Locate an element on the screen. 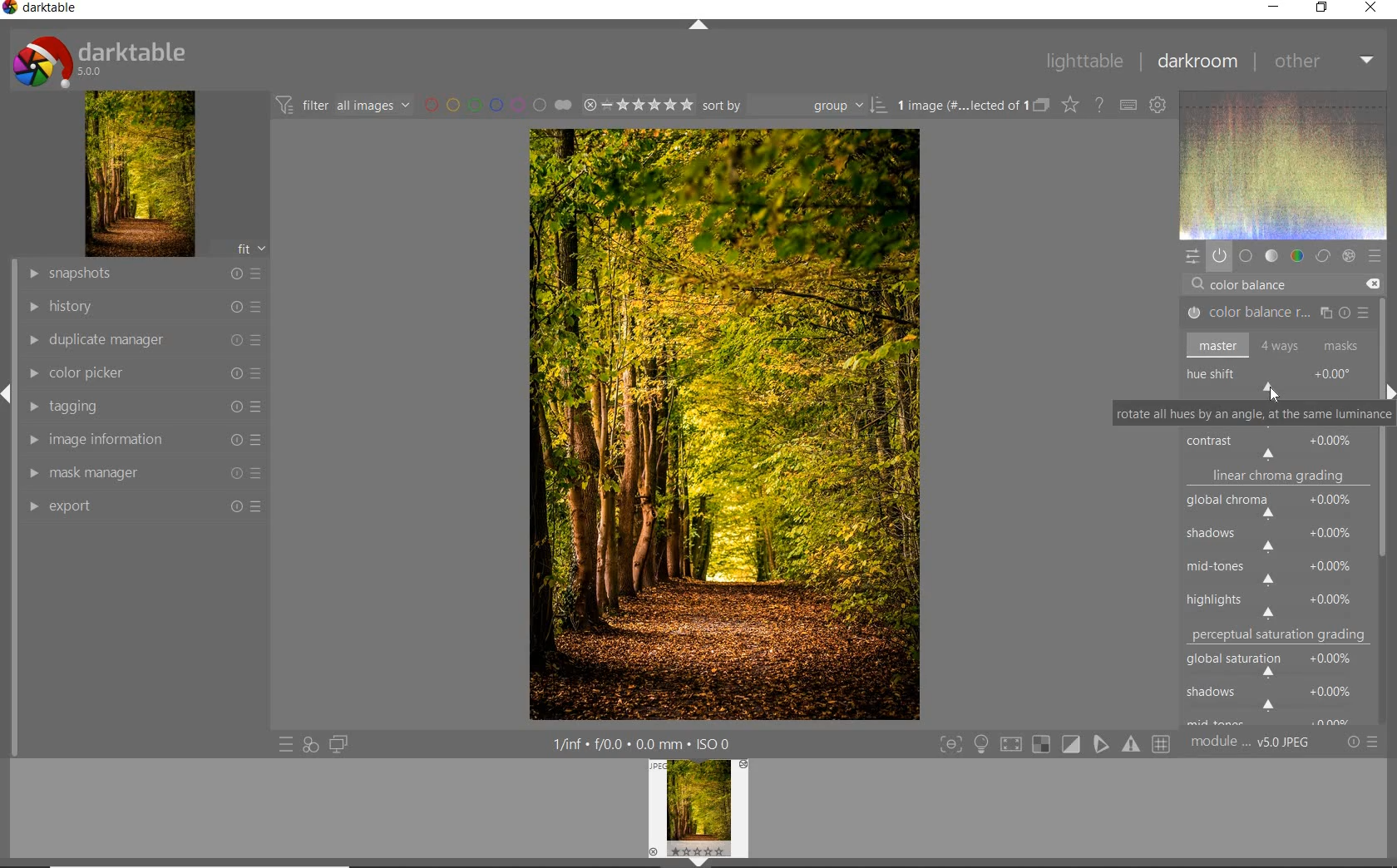 The height and width of the screenshot is (868, 1397). tagging is located at coordinates (143, 408).